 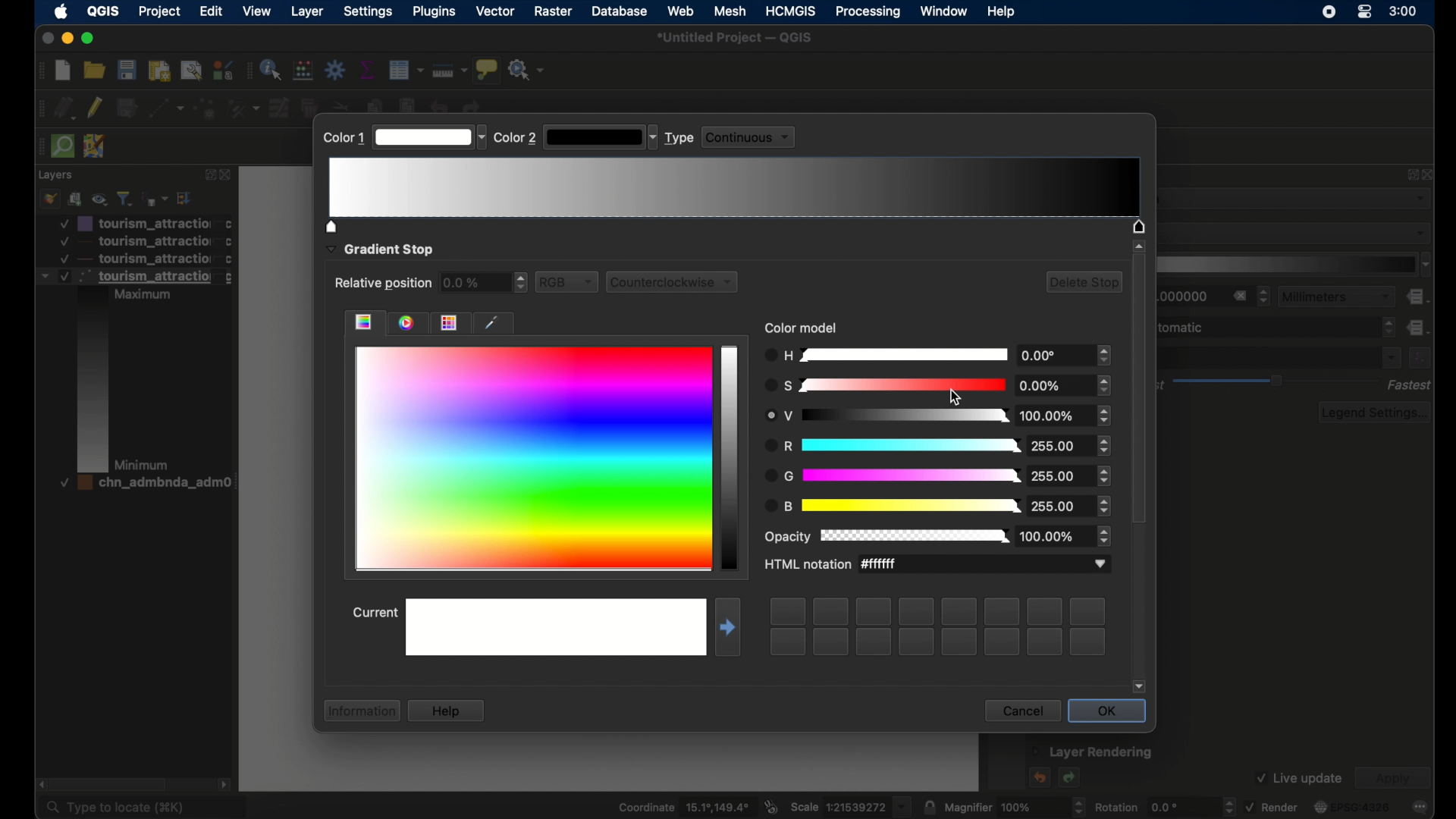 I want to click on layer 3, so click(x=134, y=371).